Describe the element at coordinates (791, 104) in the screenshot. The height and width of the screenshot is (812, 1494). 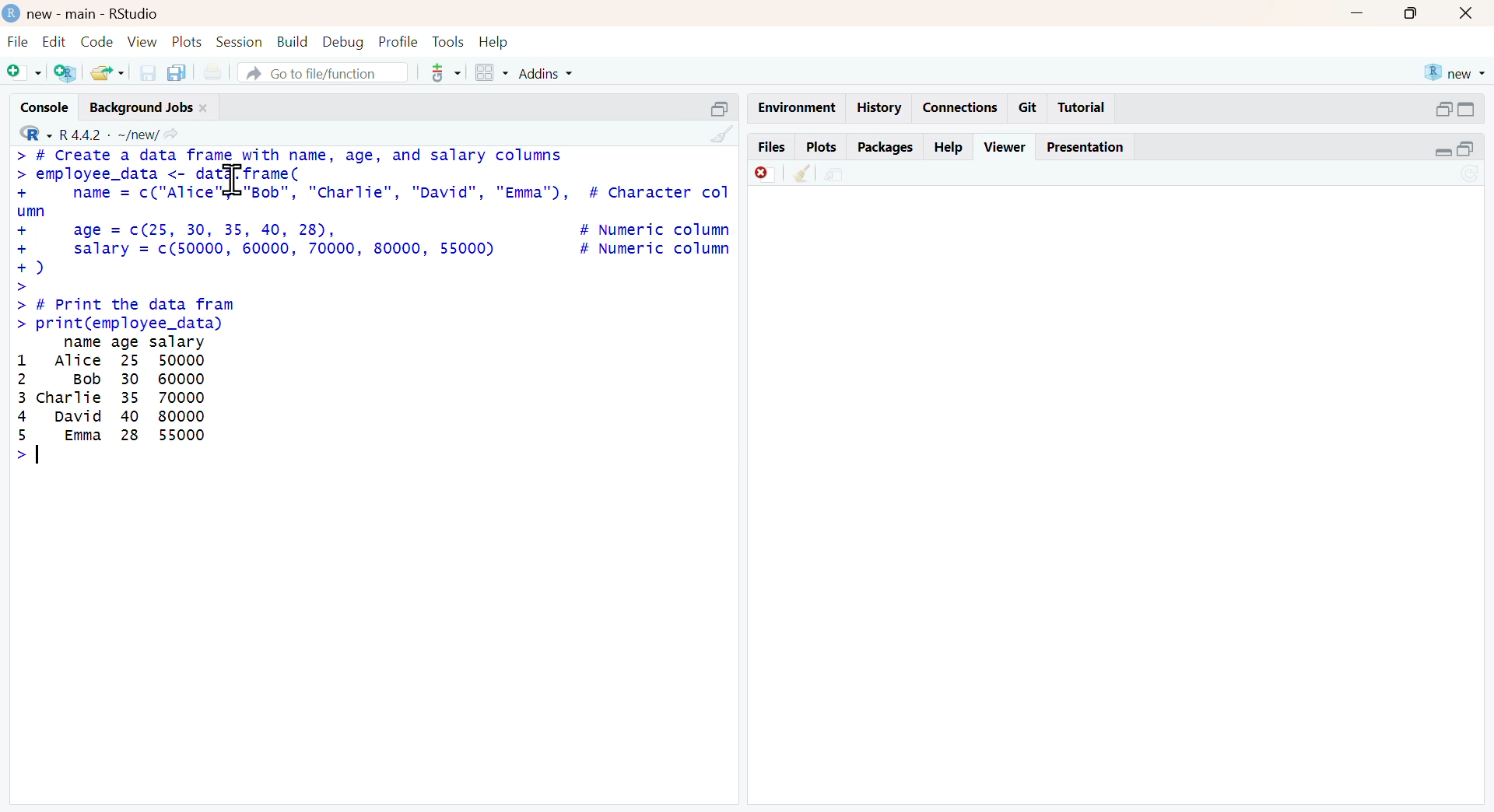
I see `Environment` at that location.